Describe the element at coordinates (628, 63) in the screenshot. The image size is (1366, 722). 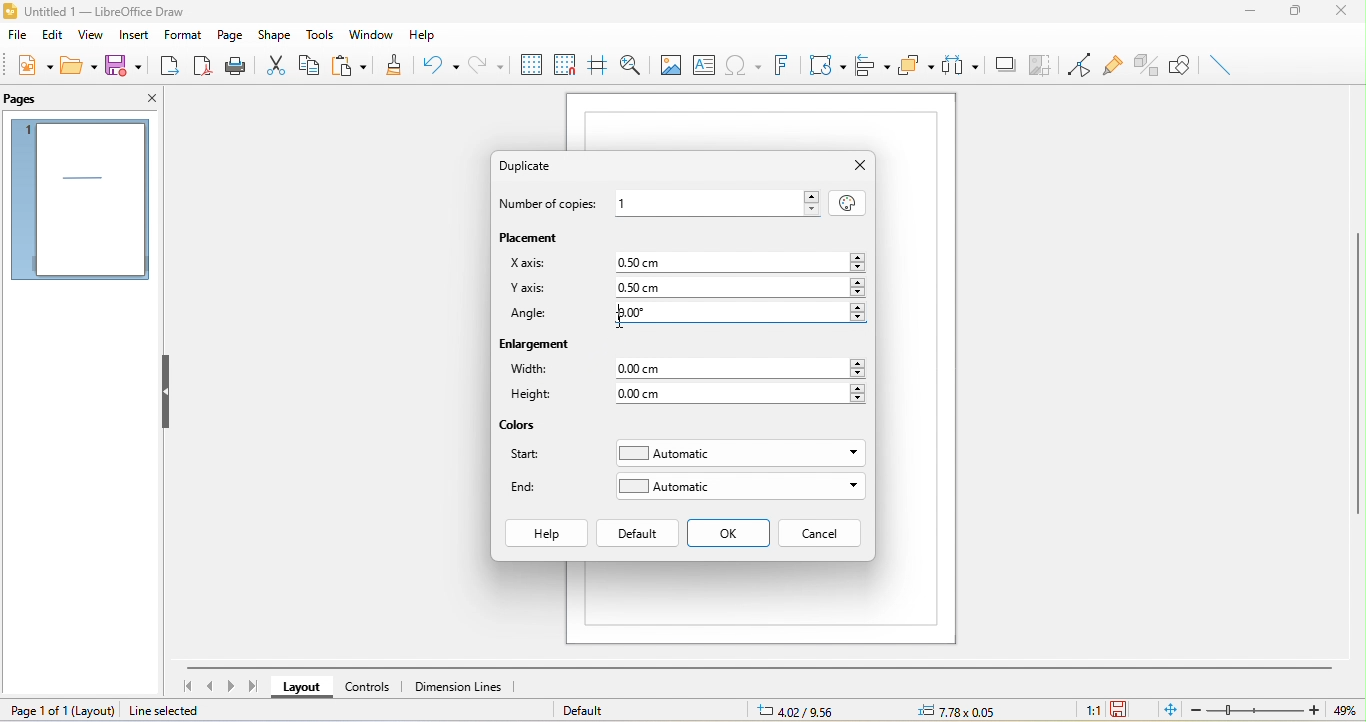
I see `zoom and pan` at that location.